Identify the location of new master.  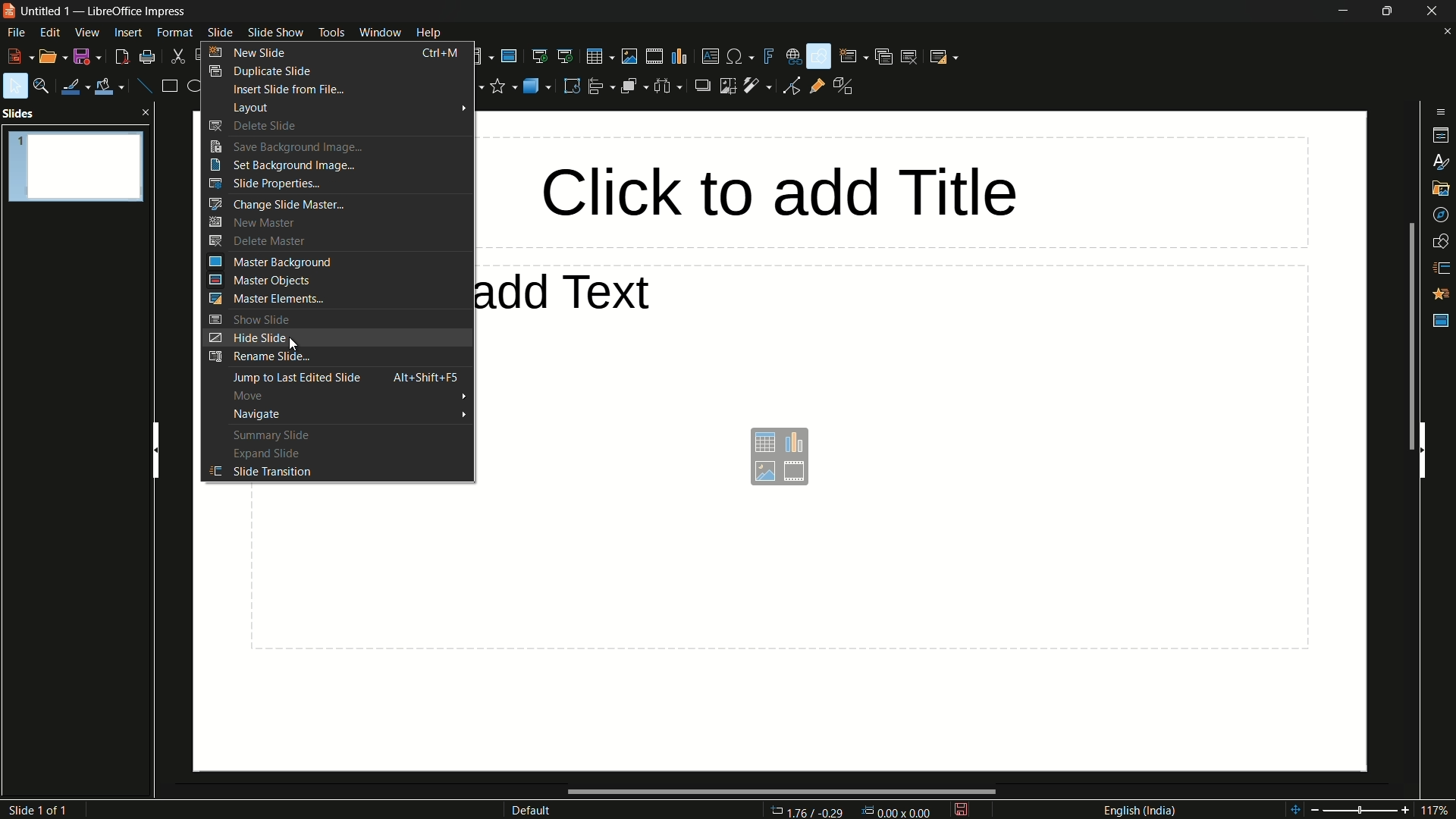
(253, 222).